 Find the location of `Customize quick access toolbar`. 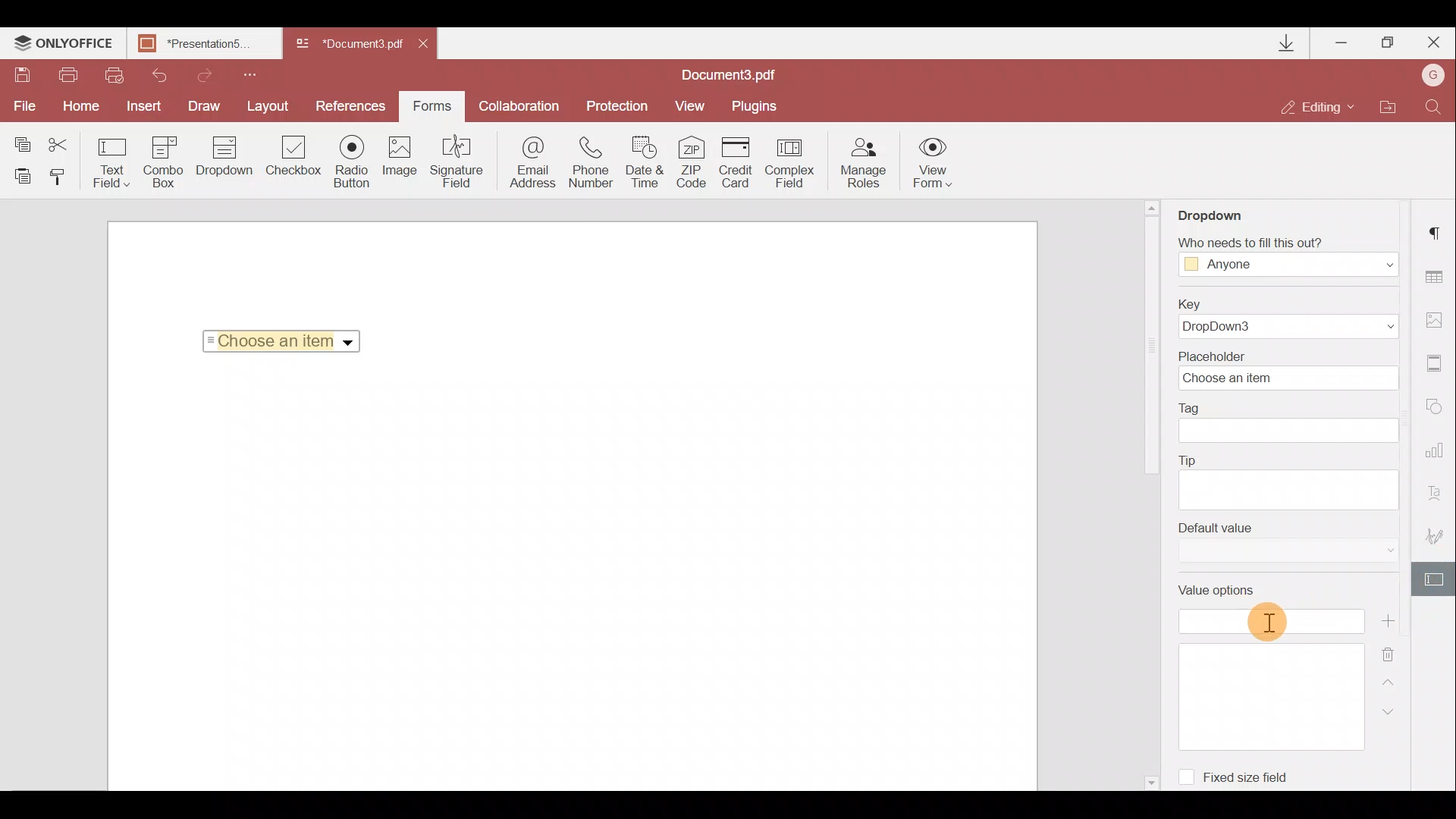

Customize quick access toolbar is located at coordinates (256, 74).